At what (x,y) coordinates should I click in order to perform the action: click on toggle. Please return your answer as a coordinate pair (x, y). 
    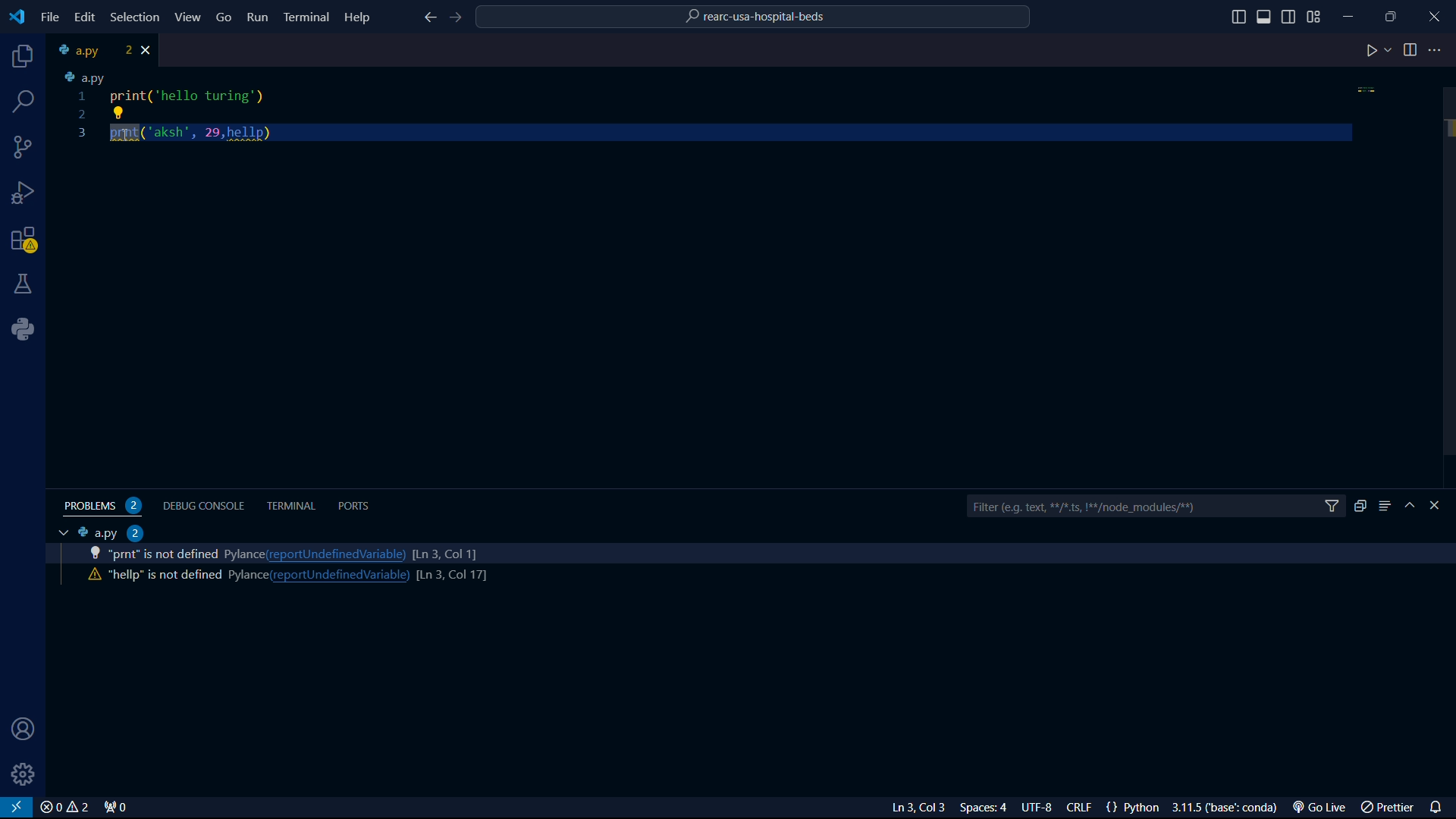
    Looking at the image, I should click on (1410, 50).